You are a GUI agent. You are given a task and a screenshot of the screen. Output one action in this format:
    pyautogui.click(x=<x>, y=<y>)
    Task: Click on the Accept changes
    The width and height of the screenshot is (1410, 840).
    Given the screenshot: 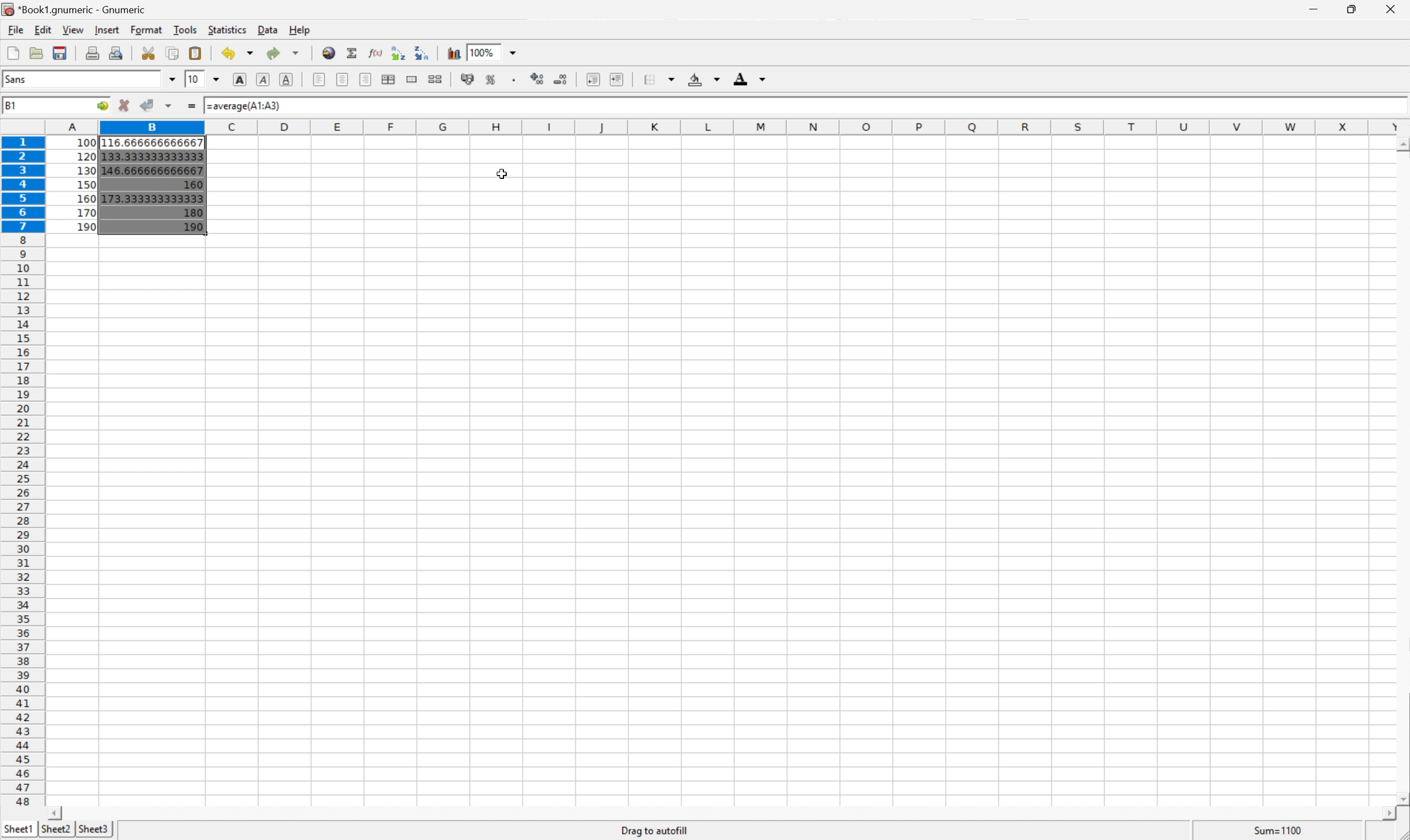 What is the action you would take?
    pyautogui.click(x=149, y=105)
    